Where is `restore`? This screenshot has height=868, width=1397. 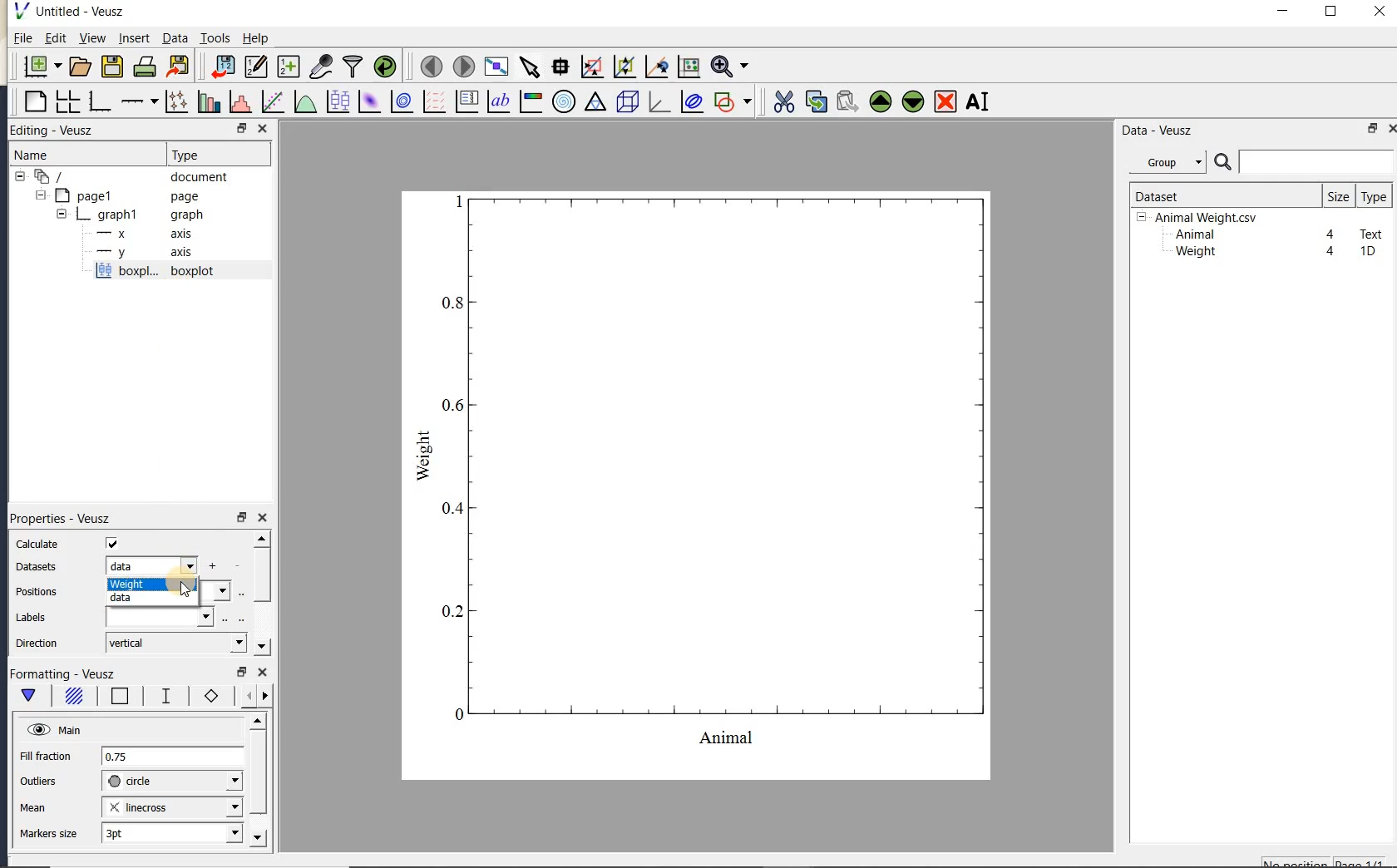
restore is located at coordinates (243, 673).